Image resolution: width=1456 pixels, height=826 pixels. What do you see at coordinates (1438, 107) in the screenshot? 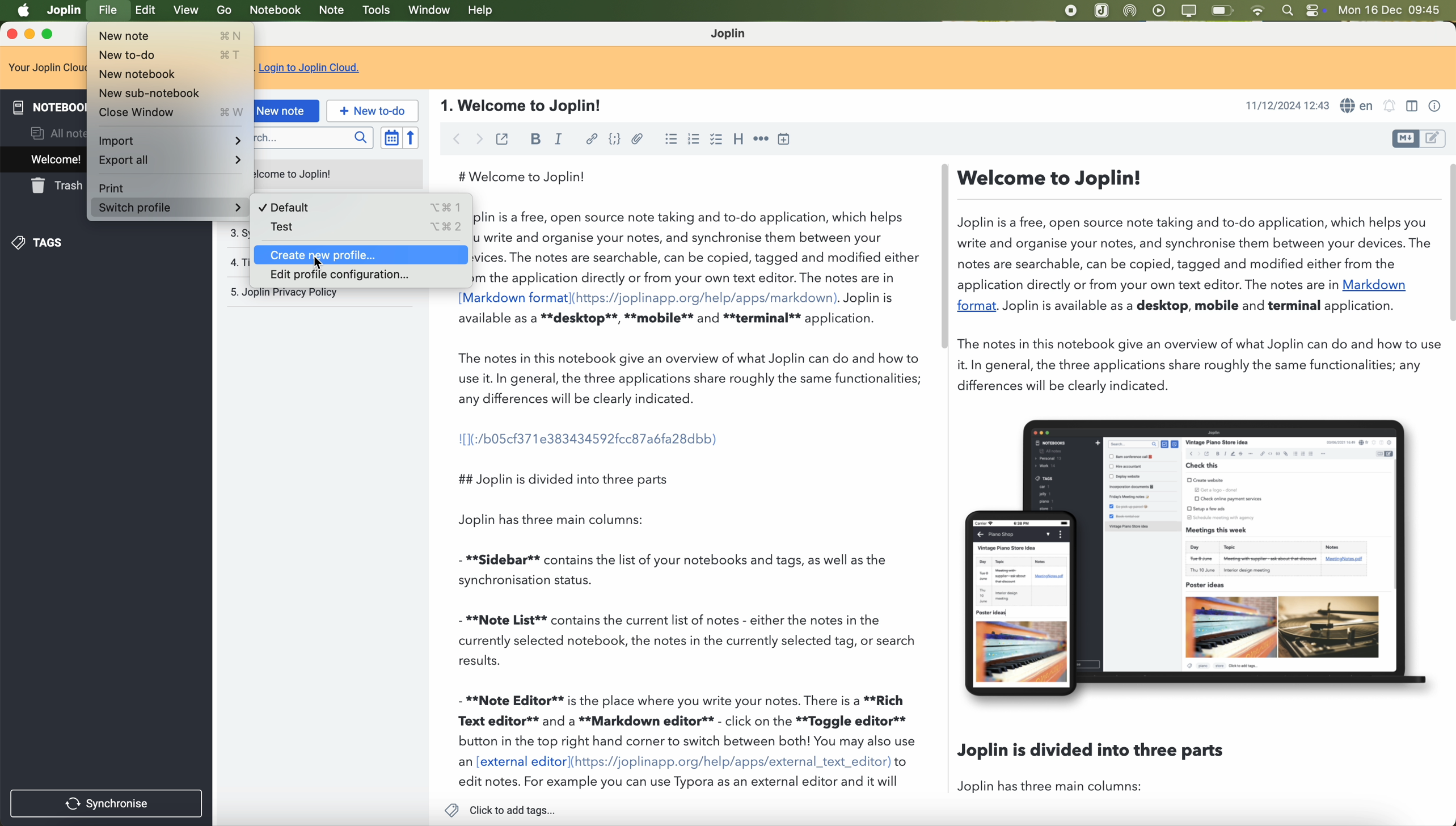
I see `note properties` at bounding box center [1438, 107].